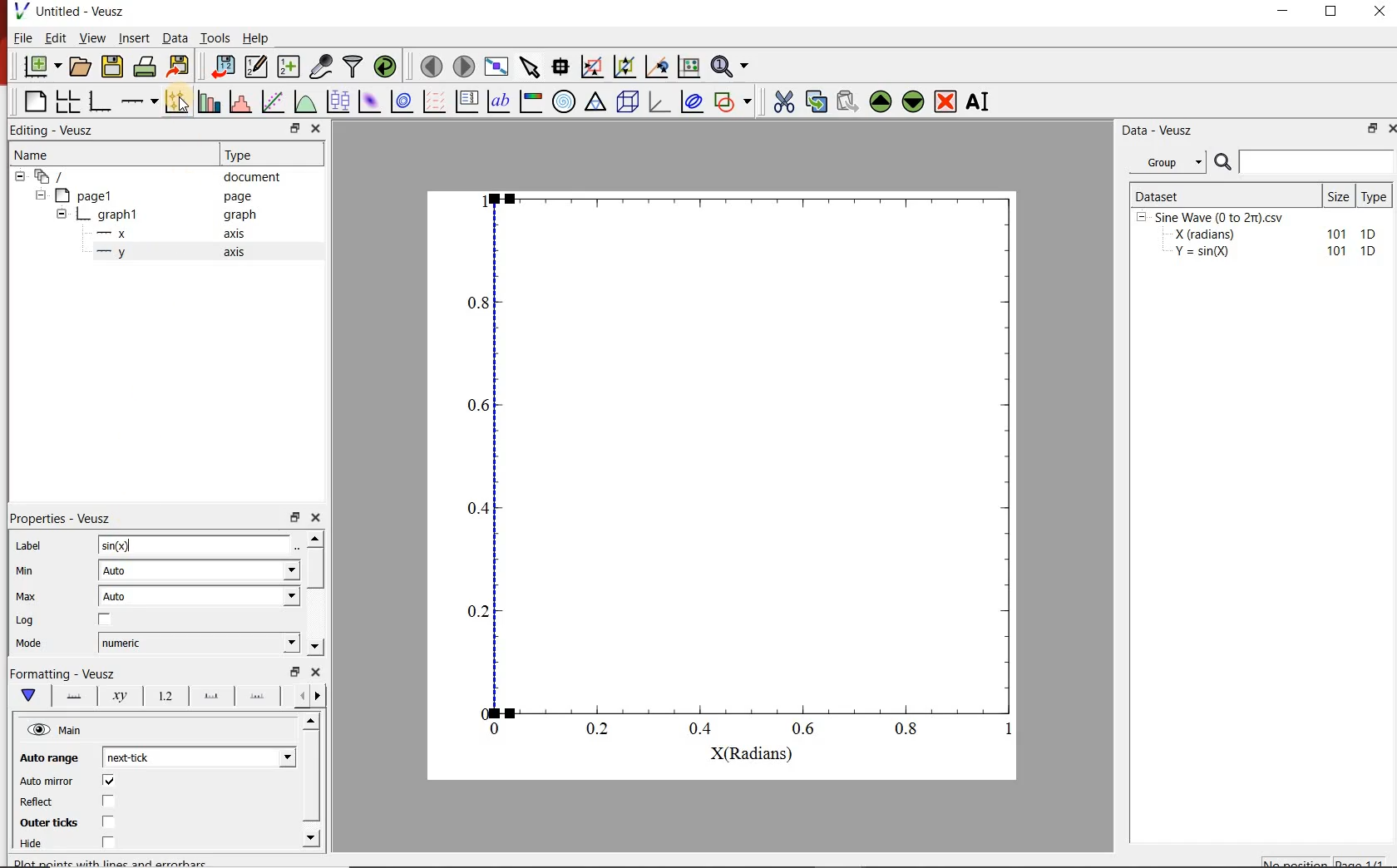  What do you see at coordinates (238, 197) in the screenshot?
I see `page` at bounding box center [238, 197].